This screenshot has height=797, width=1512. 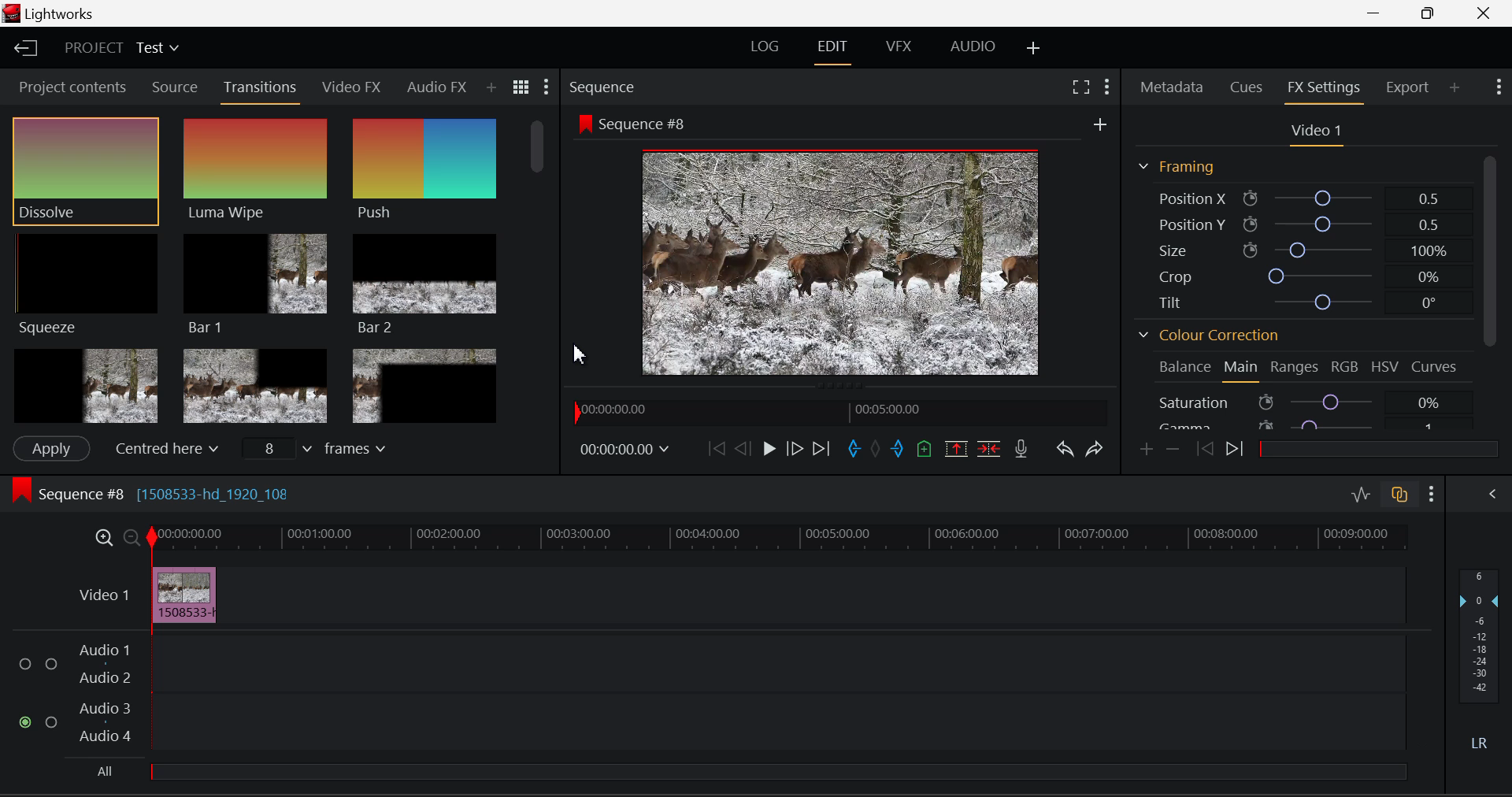 What do you see at coordinates (1173, 87) in the screenshot?
I see `Metadata` at bounding box center [1173, 87].